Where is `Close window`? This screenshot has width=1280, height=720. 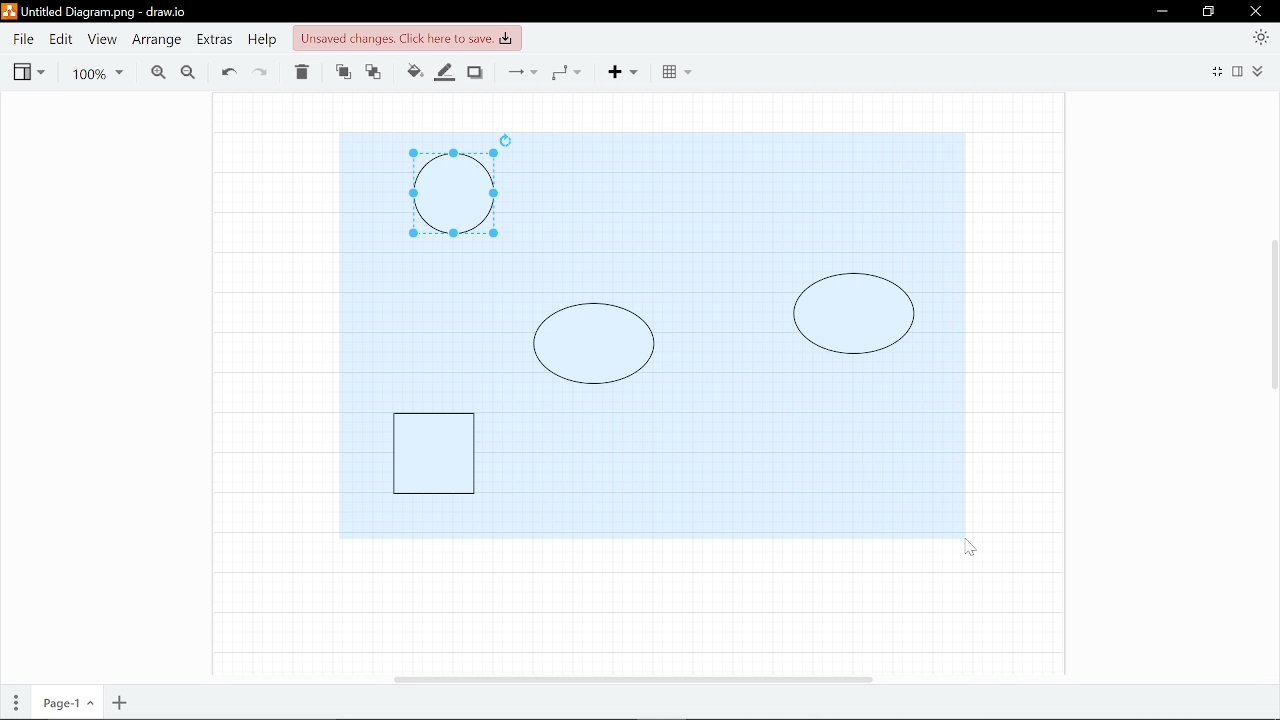 Close window is located at coordinates (1257, 11).